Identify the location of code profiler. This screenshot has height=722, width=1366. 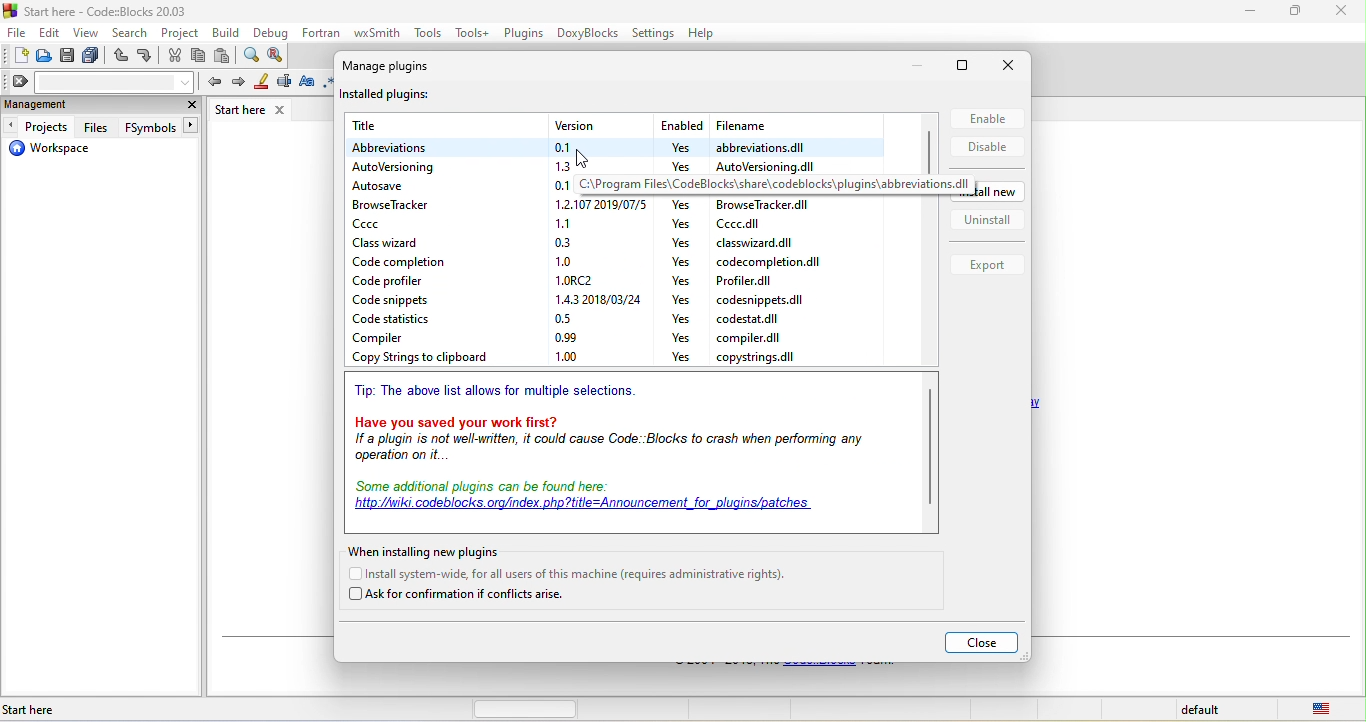
(397, 280).